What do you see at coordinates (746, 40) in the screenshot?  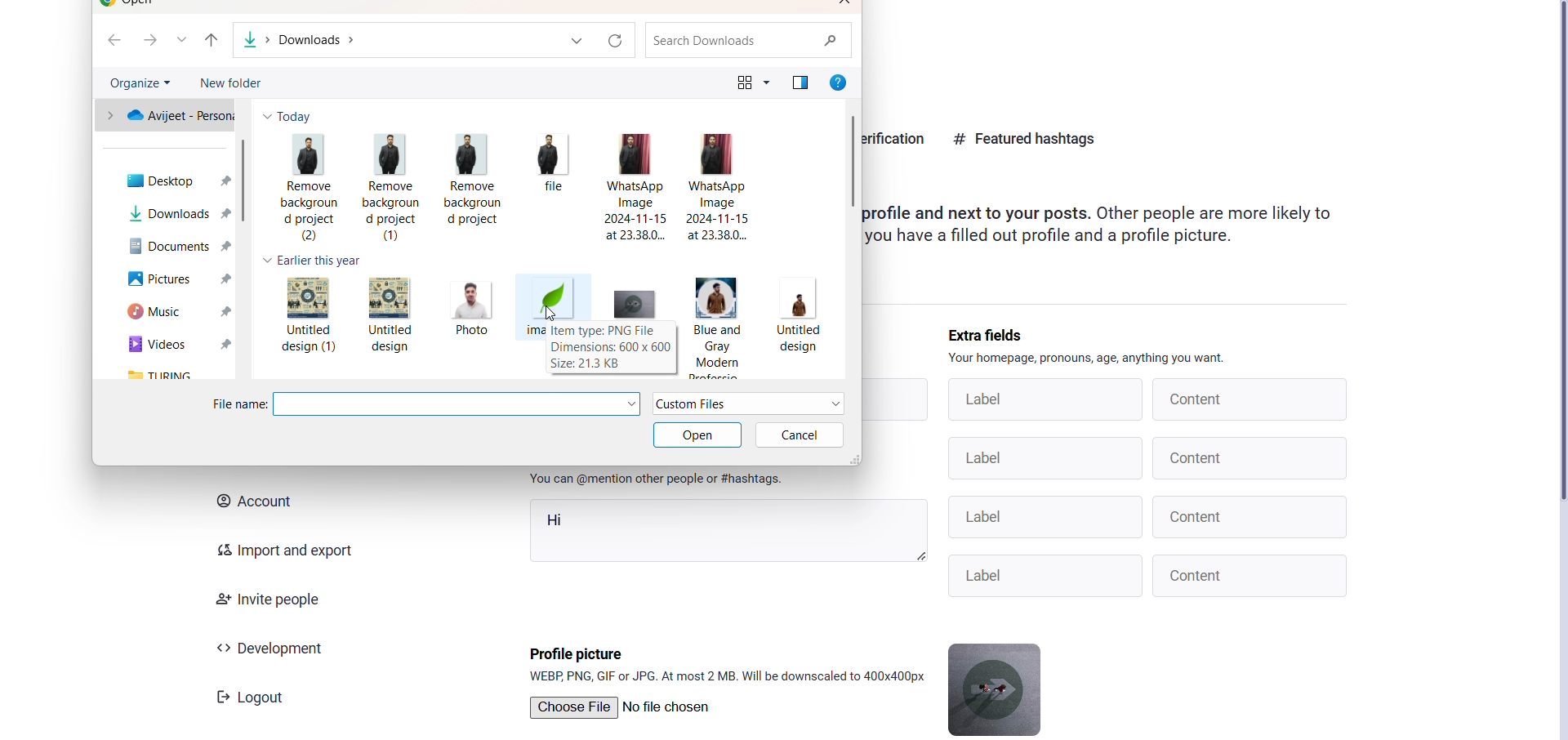 I see `search` at bounding box center [746, 40].